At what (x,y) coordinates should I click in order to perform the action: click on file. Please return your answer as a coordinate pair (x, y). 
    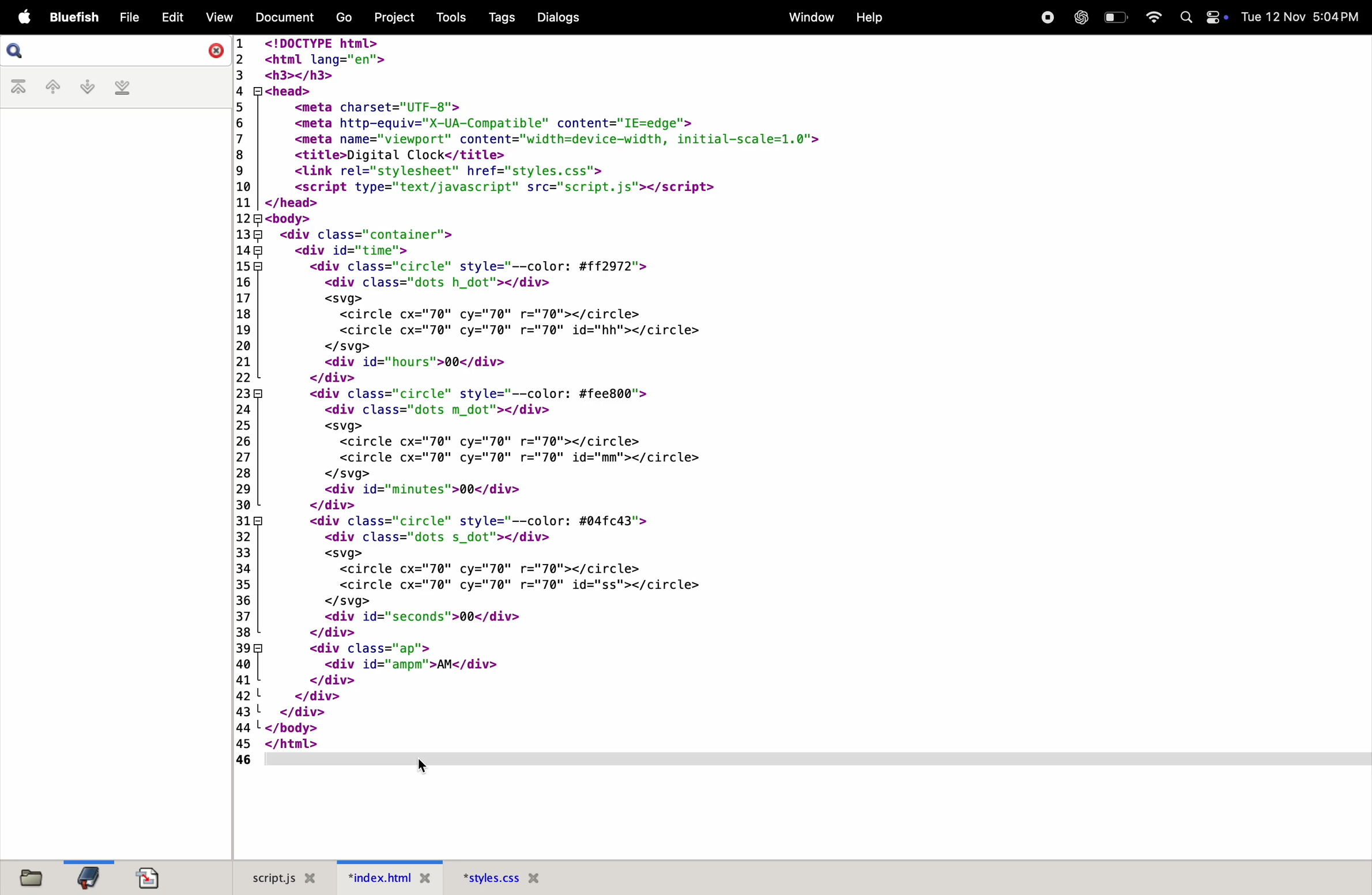
    Looking at the image, I should click on (127, 18).